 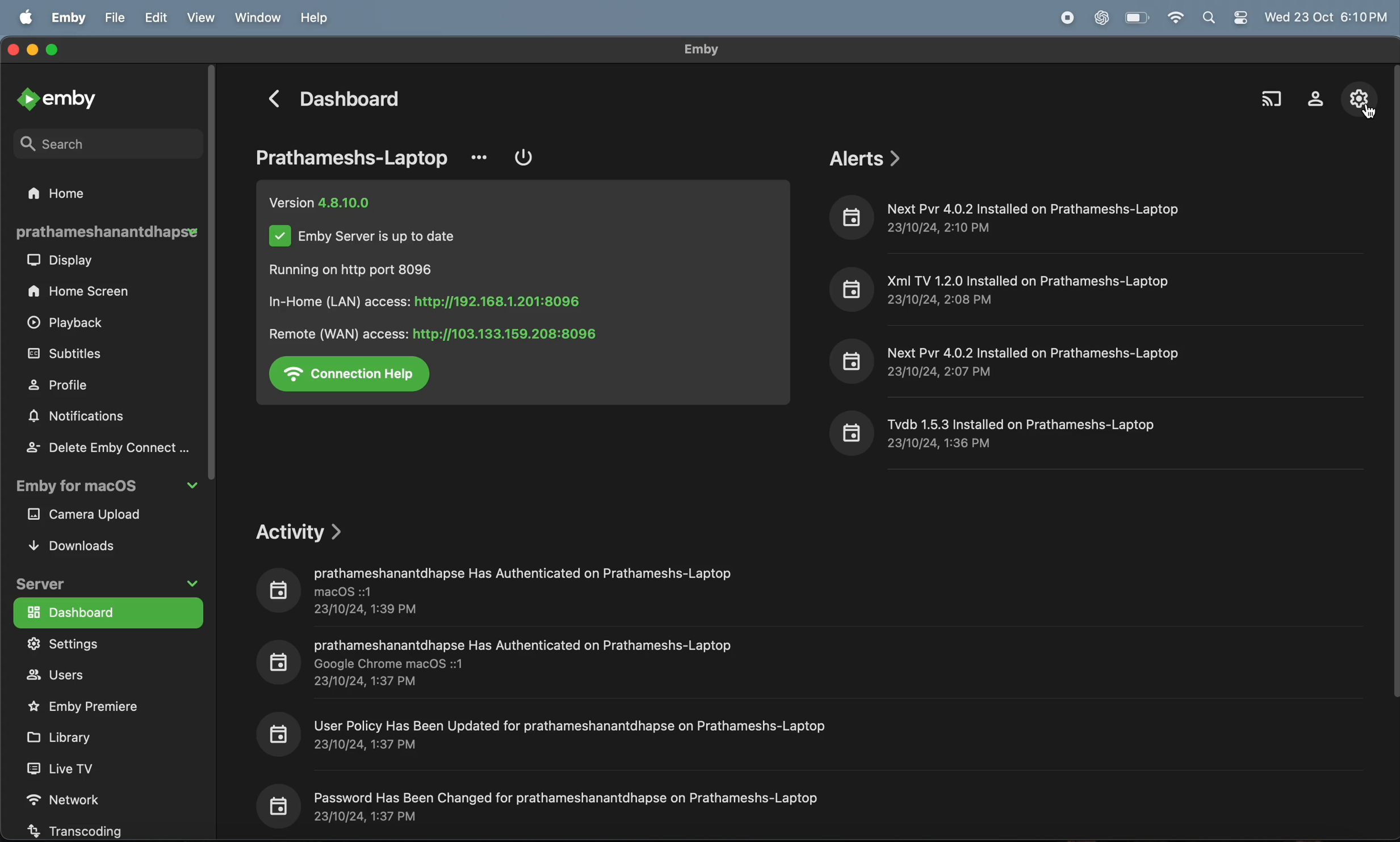 What do you see at coordinates (997, 438) in the screenshot?
I see `8 Tvdb 1.5.3 Installed on Prathameshs-Laptop
23/10/24, 1:36 PM` at bounding box center [997, 438].